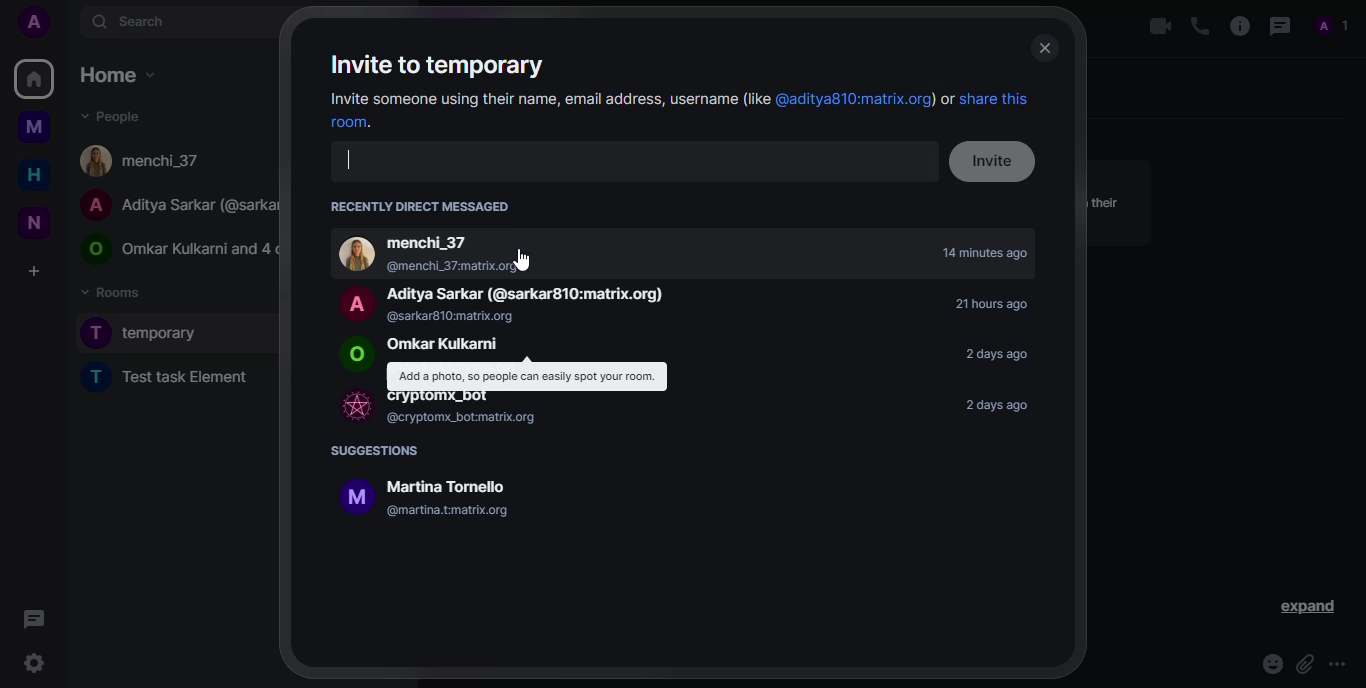 This screenshot has height=688, width=1366. What do you see at coordinates (34, 127) in the screenshot?
I see `myspace` at bounding box center [34, 127].